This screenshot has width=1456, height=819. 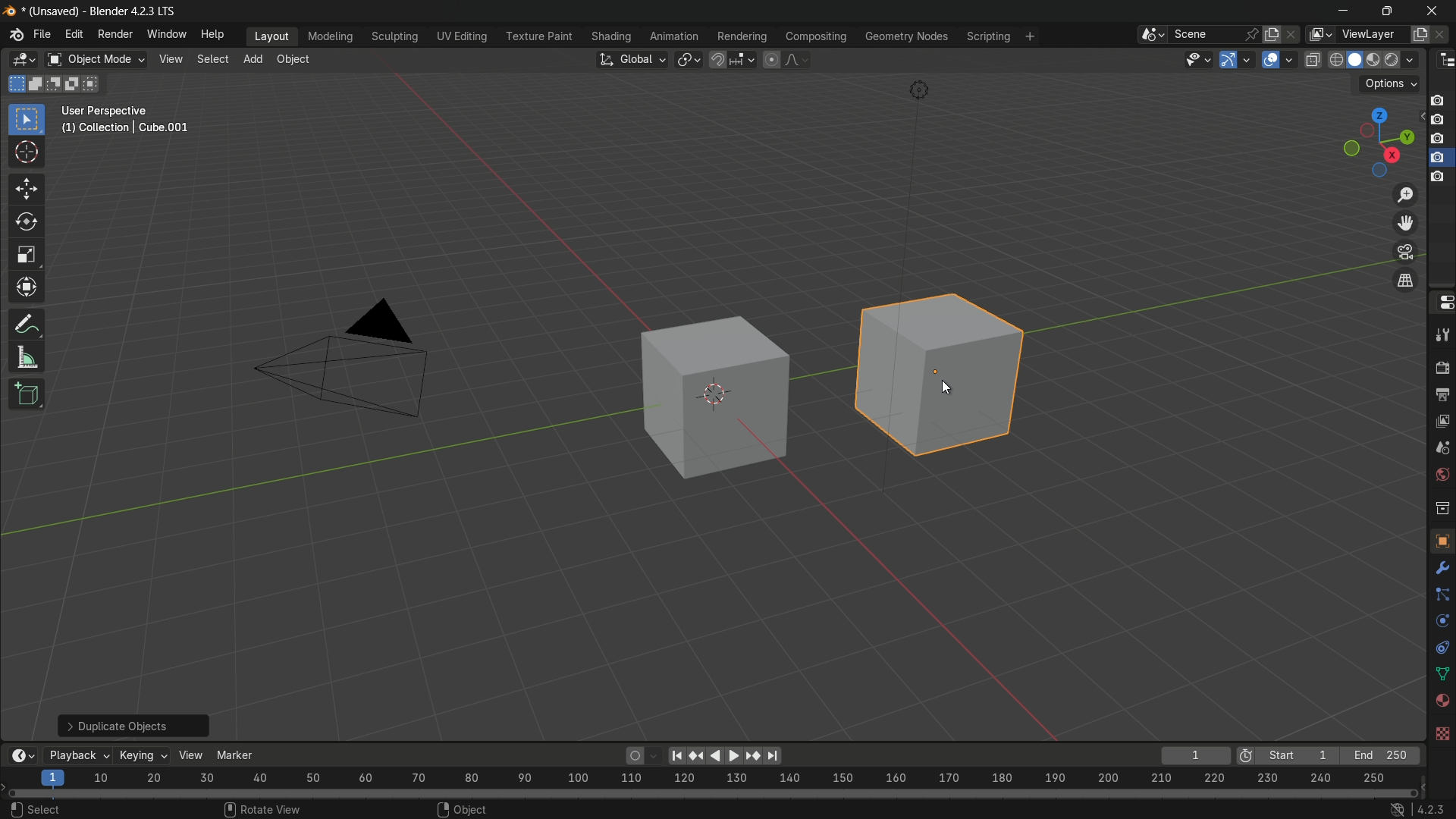 I want to click on camera, so click(x=352, y=360).